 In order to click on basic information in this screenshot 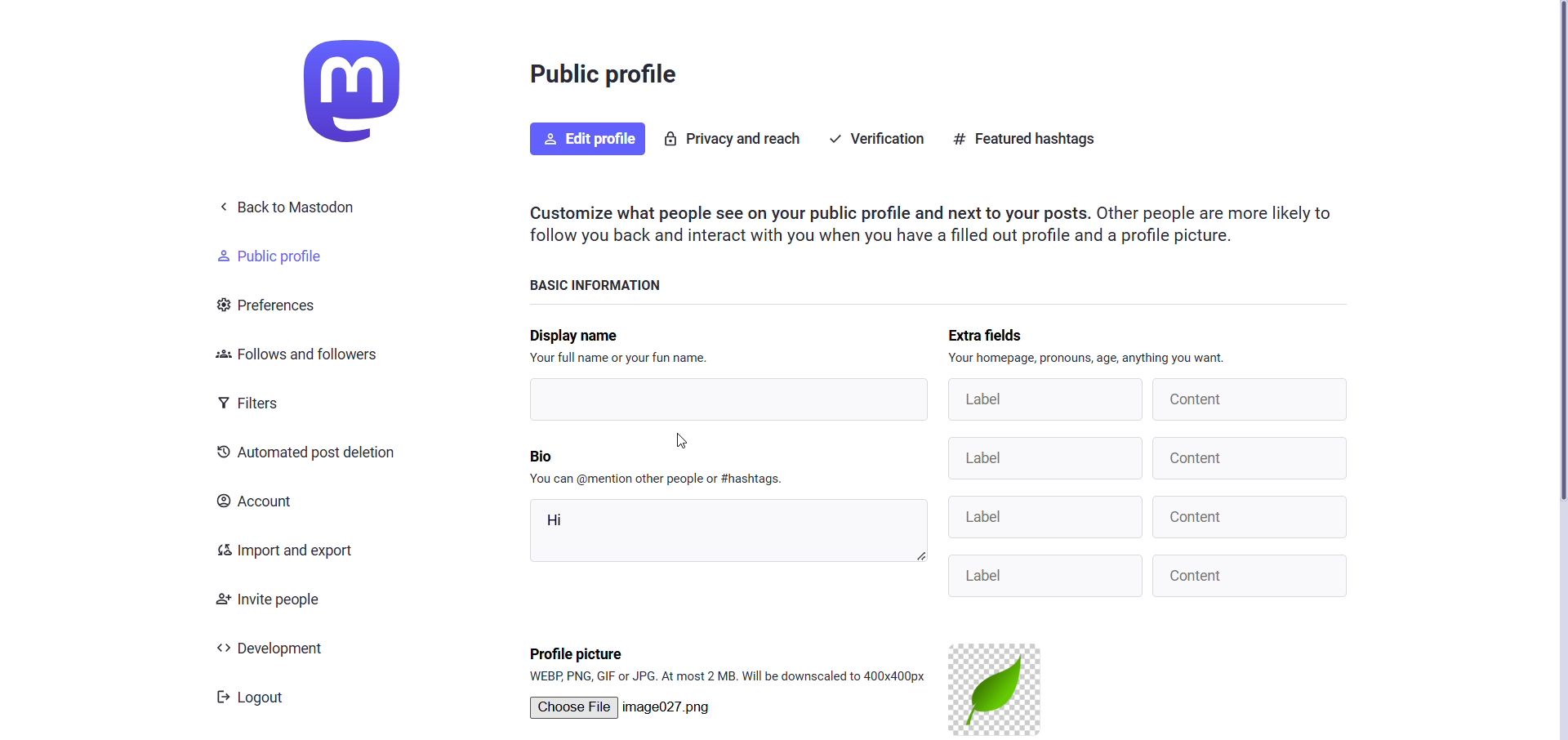, I will do `click(593, 285)`.